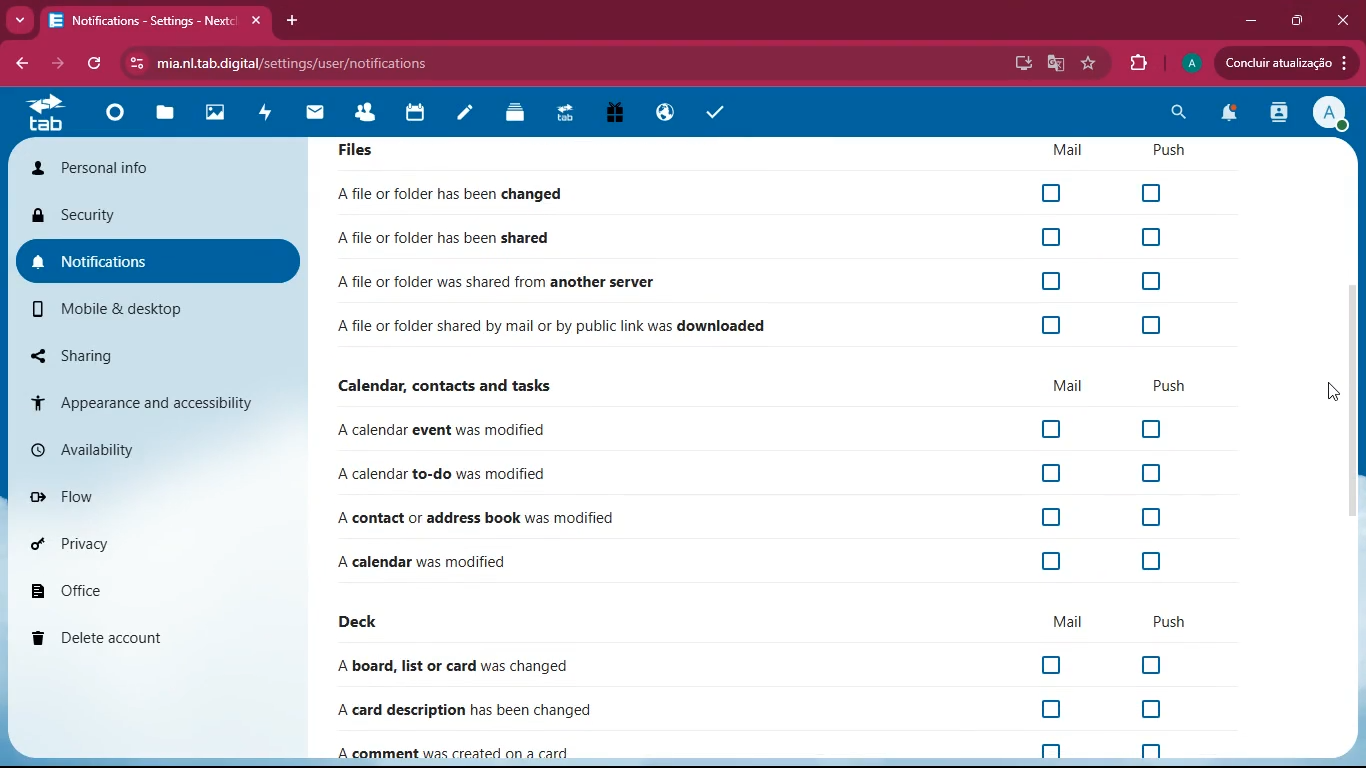  I want to click on notes, so click(470, 115).